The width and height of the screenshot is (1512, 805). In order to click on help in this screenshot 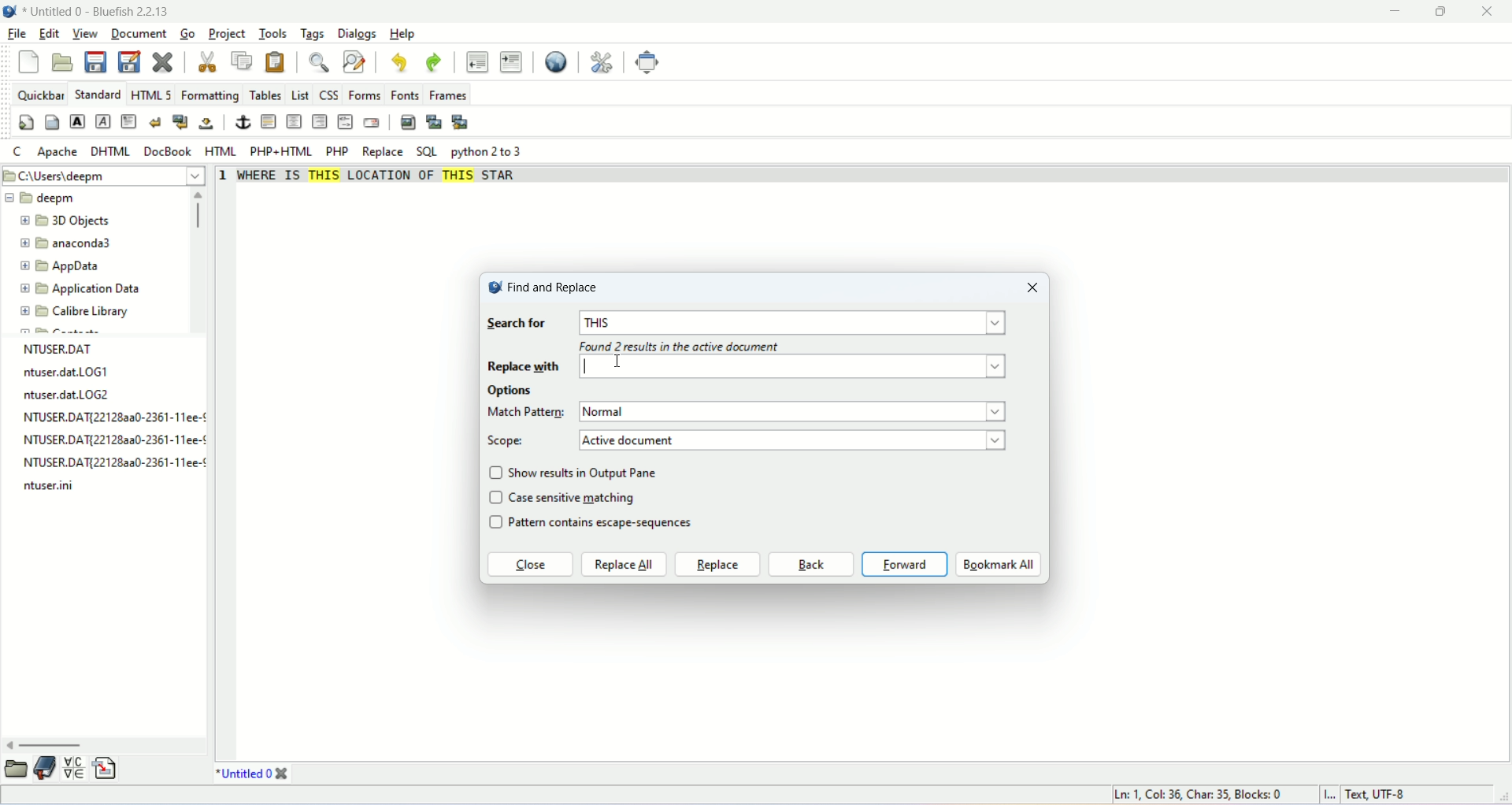, I will do `click(401, 34)`.